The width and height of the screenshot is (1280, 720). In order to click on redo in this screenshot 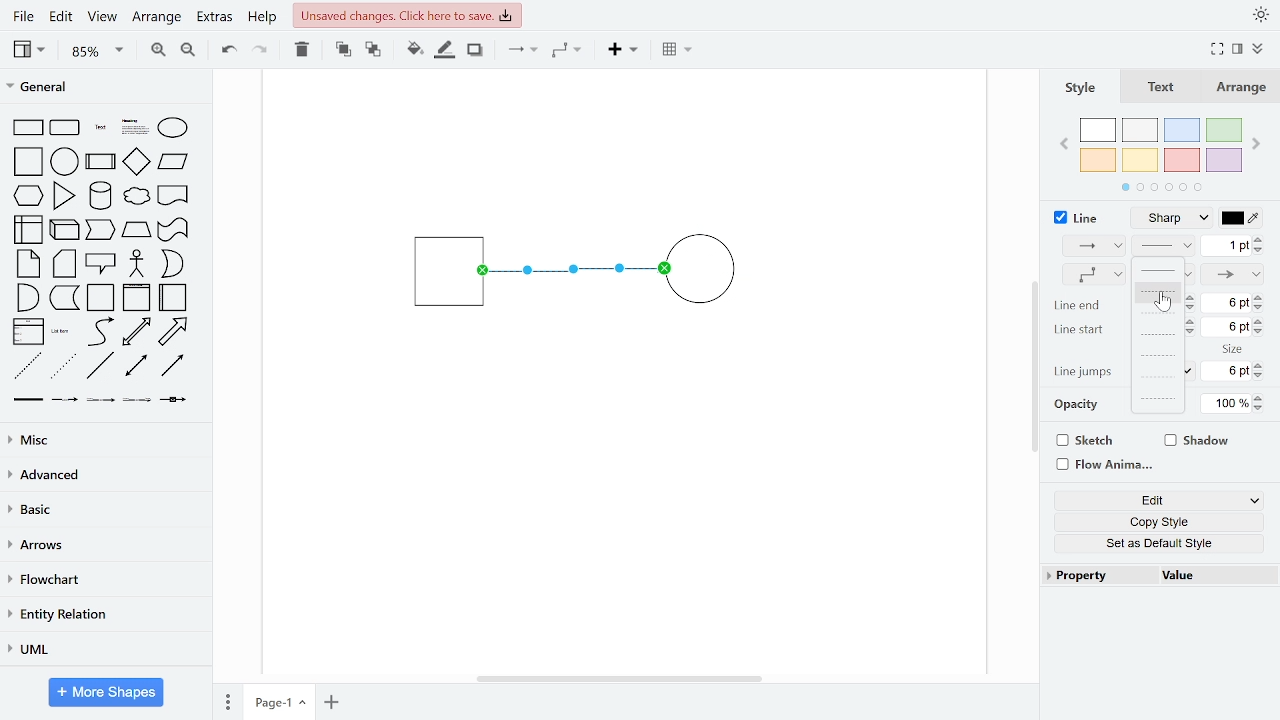, I will do `click(261, 49)`.